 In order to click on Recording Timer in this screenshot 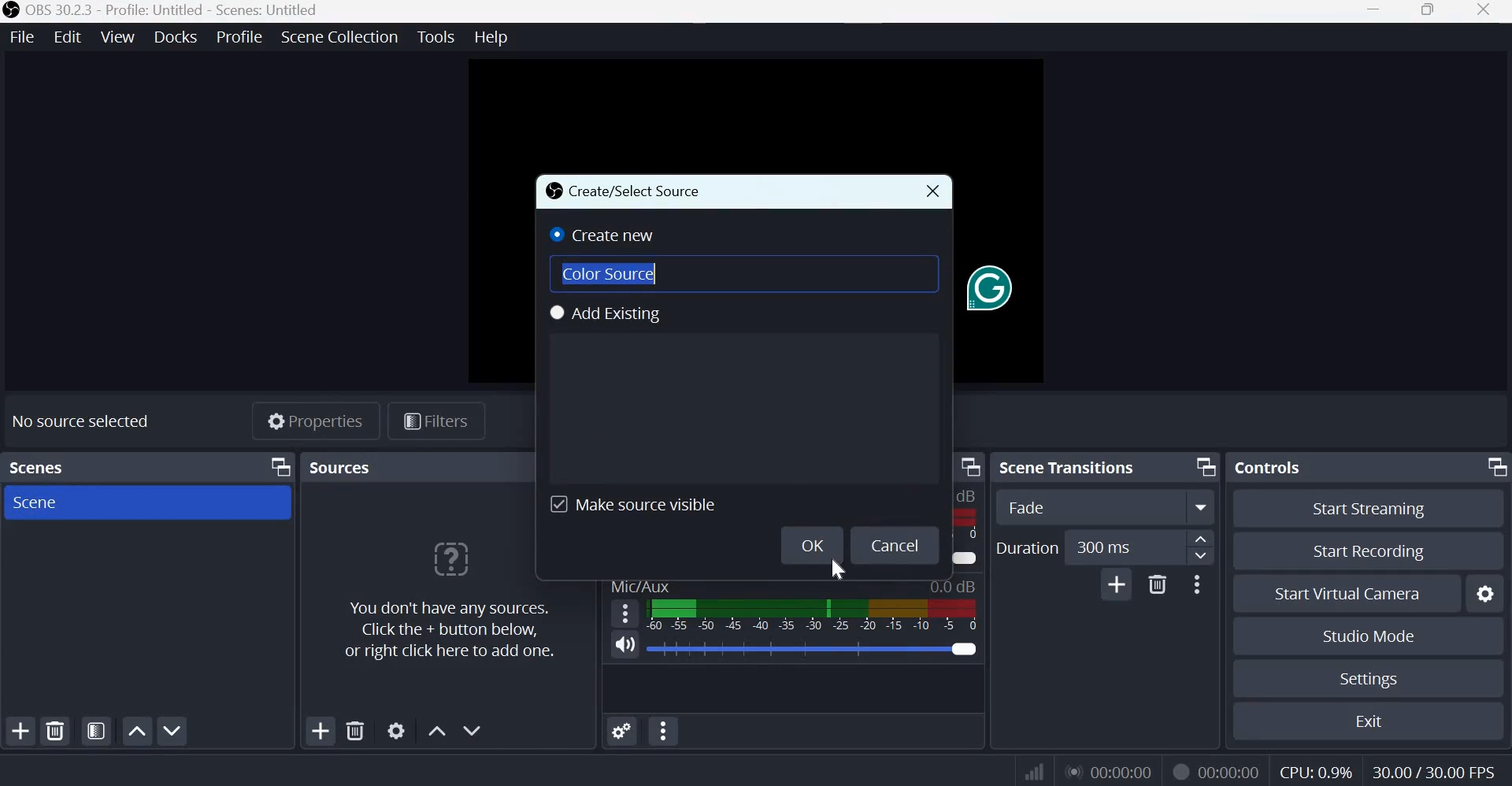, I will do `click(1231, 771)`.